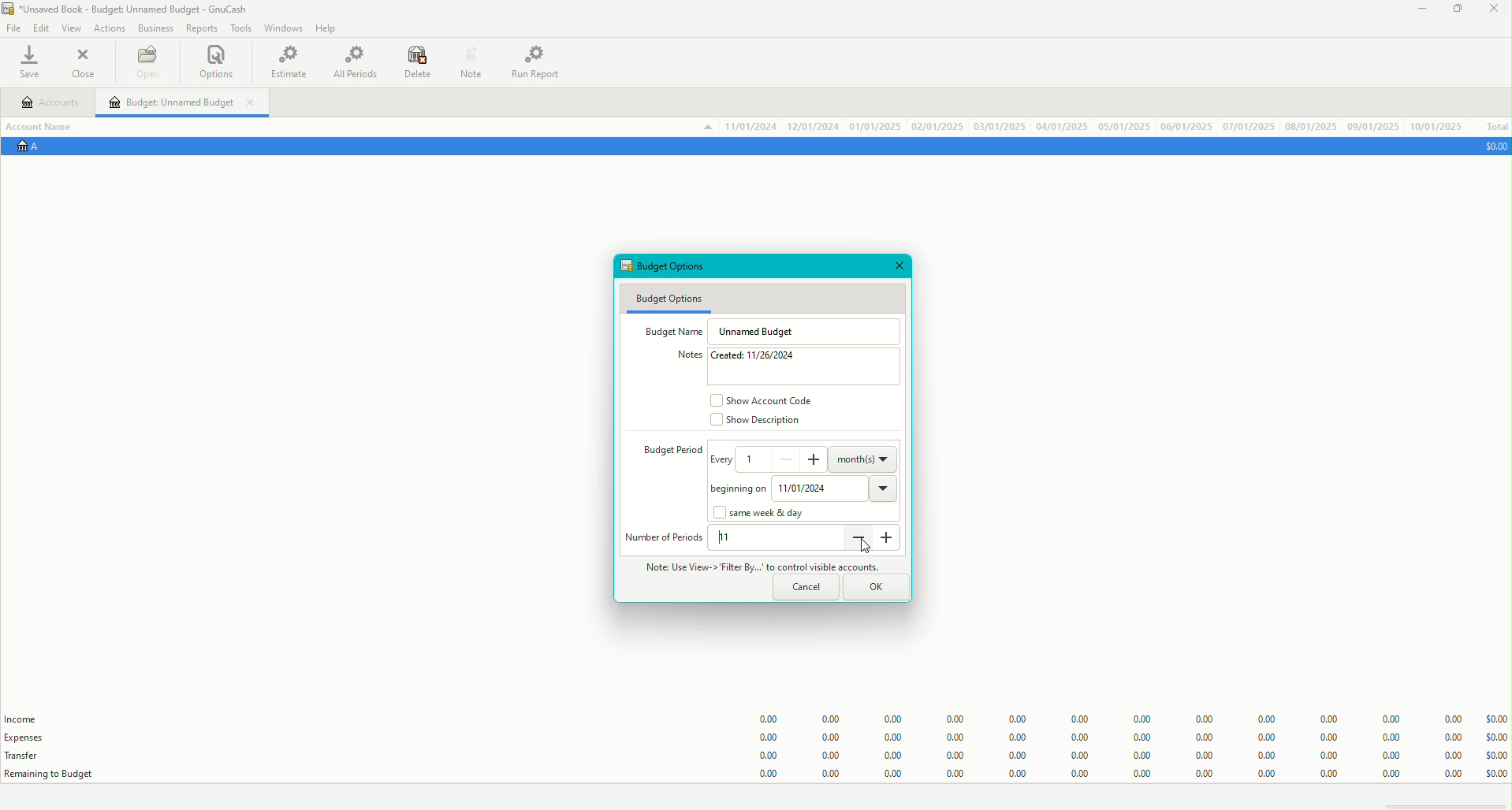 This screenshot has width=1512, height=810. I want to click on Budget Options, so click(669, 298).